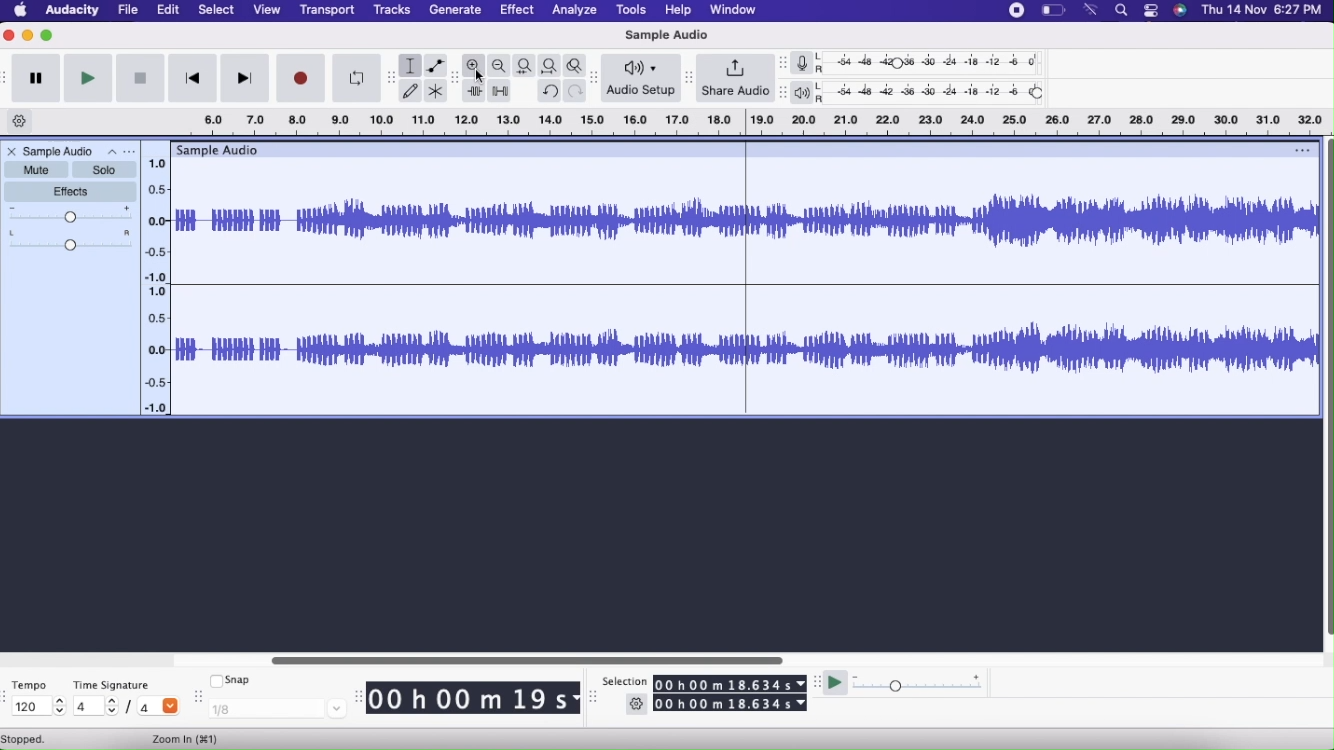 The image size is (1334, 750). I want to click on Battery, so click(1051, 11).